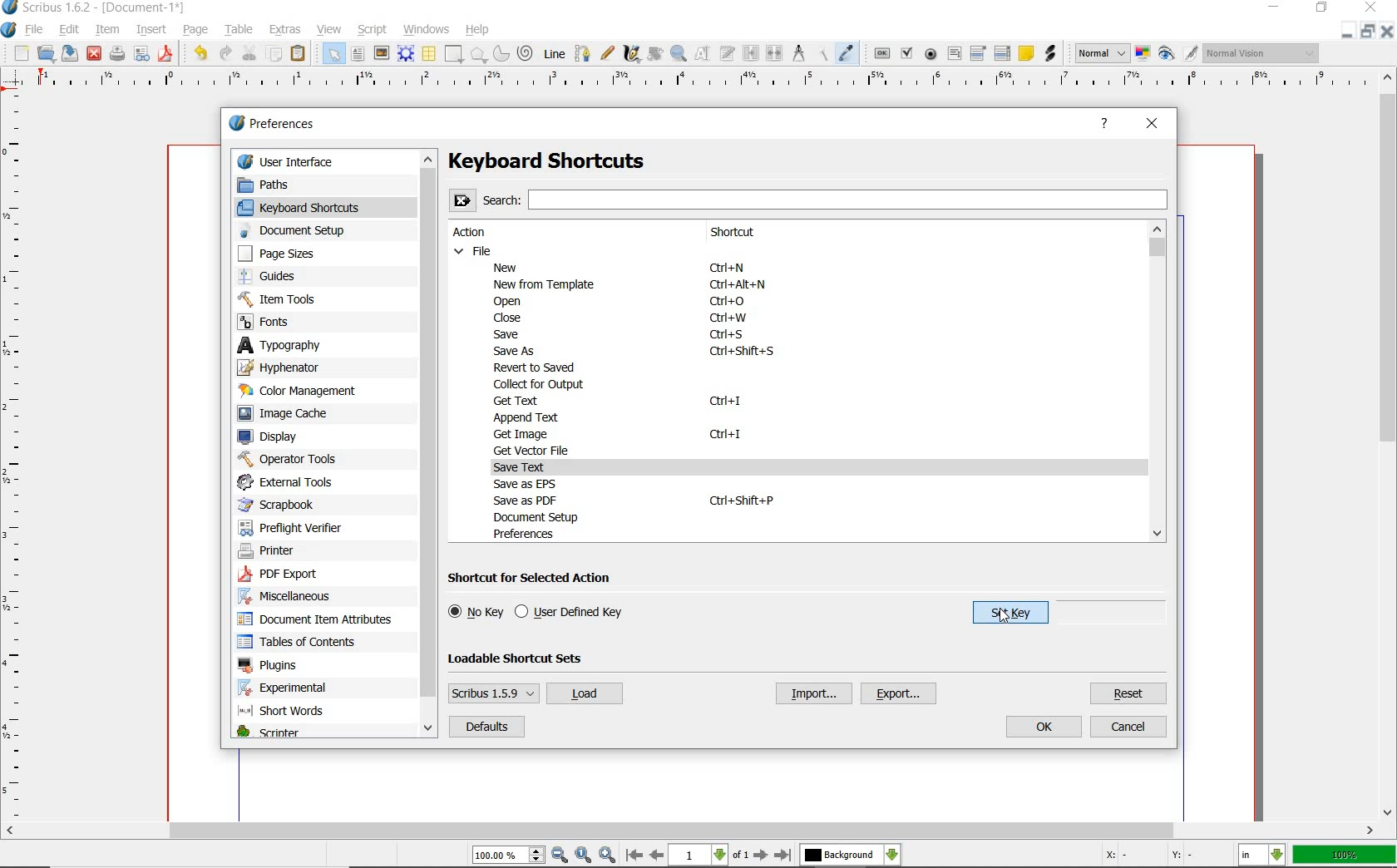 This screenshot has width=1397, height=868. What do you see at coordinates (584, 694) in the screenshot?
I see `load` at bounding box center [584, 694].